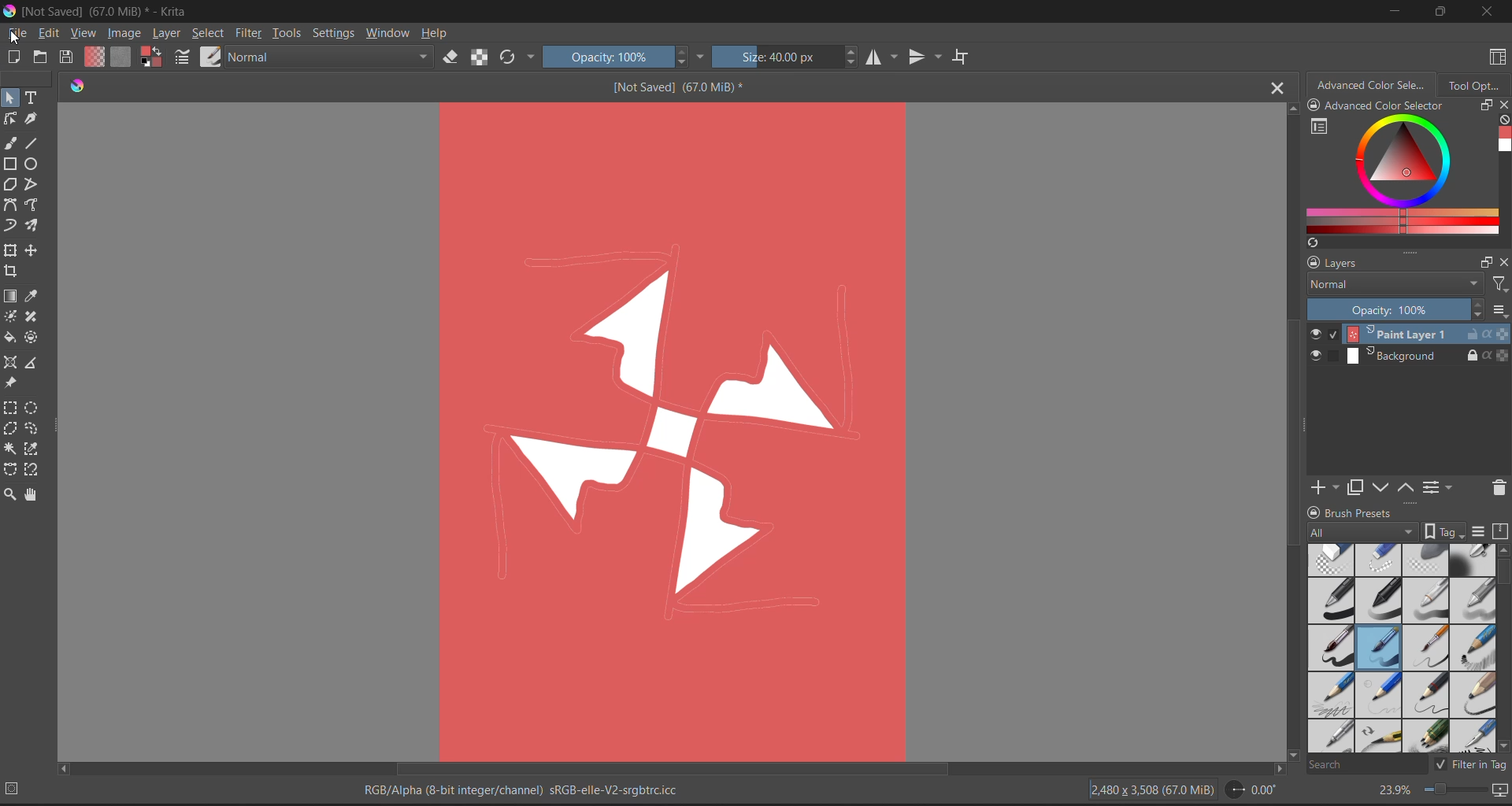 Image resolution: width=1512 pixels, height=806 pixels. Describe the element at coordinates (1405, 106) in the screenshot. I see `Advanced color selector` at that location.